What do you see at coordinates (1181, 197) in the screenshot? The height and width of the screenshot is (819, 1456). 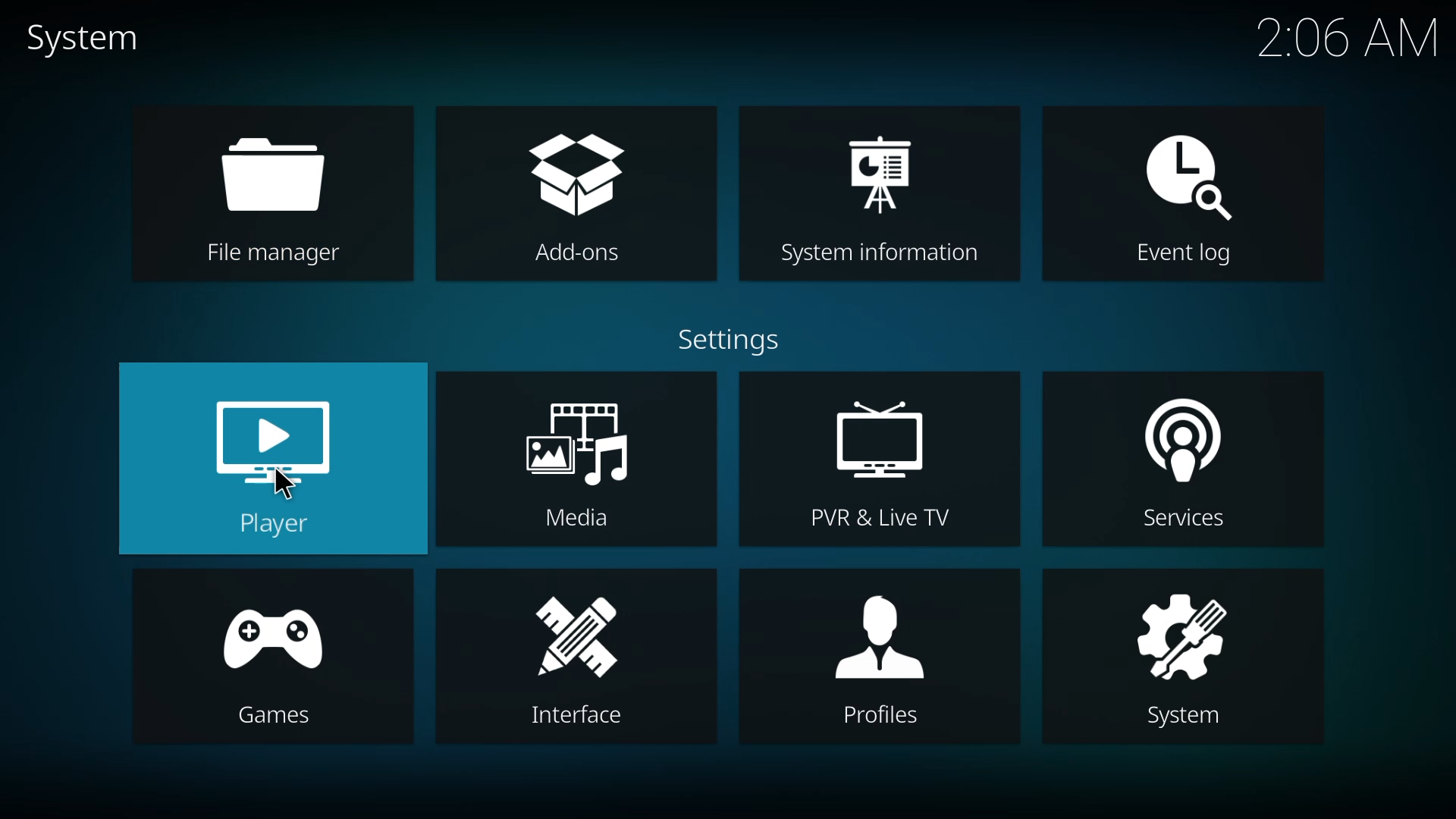 I see `event log` at bounding box center [1181, 197].